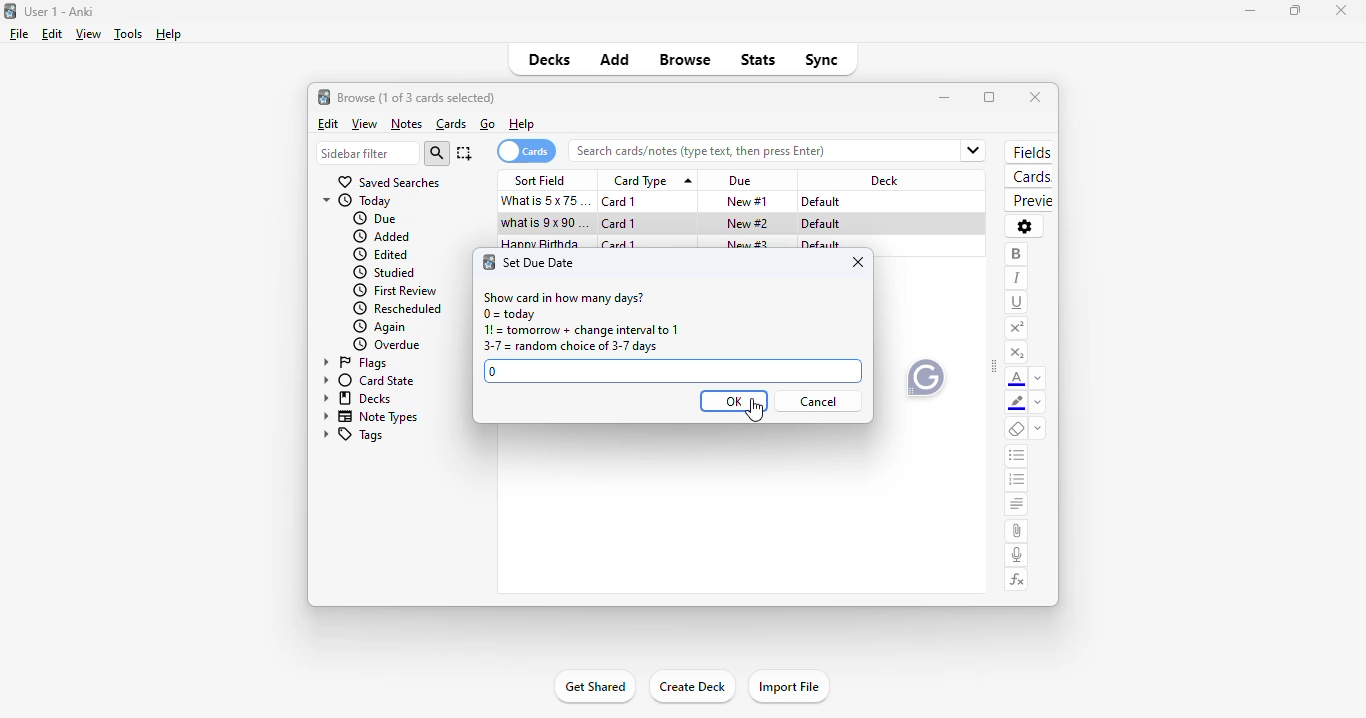 The height and width of the screenshot is (718, 1366). Describe the element at coordinates (353, 363) in the screenshot. I see `flags` at that location.